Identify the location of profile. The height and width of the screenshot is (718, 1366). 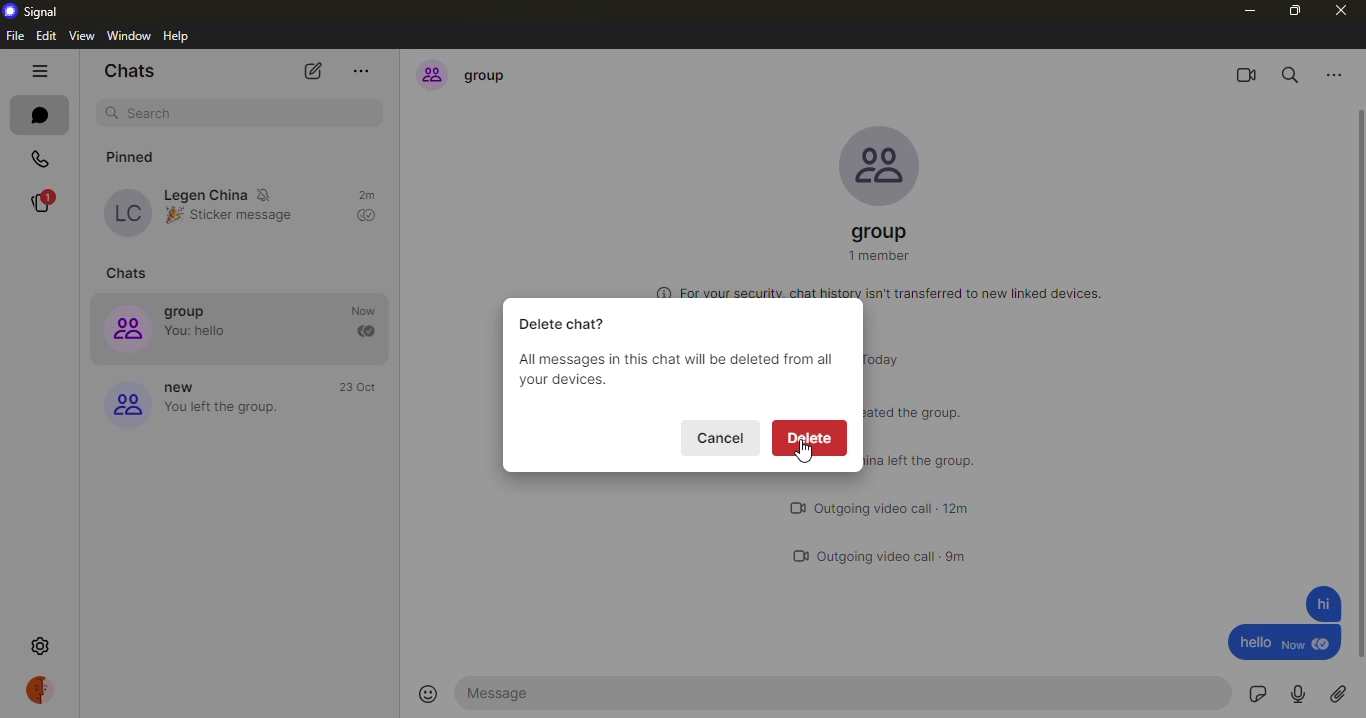
(37, 689).